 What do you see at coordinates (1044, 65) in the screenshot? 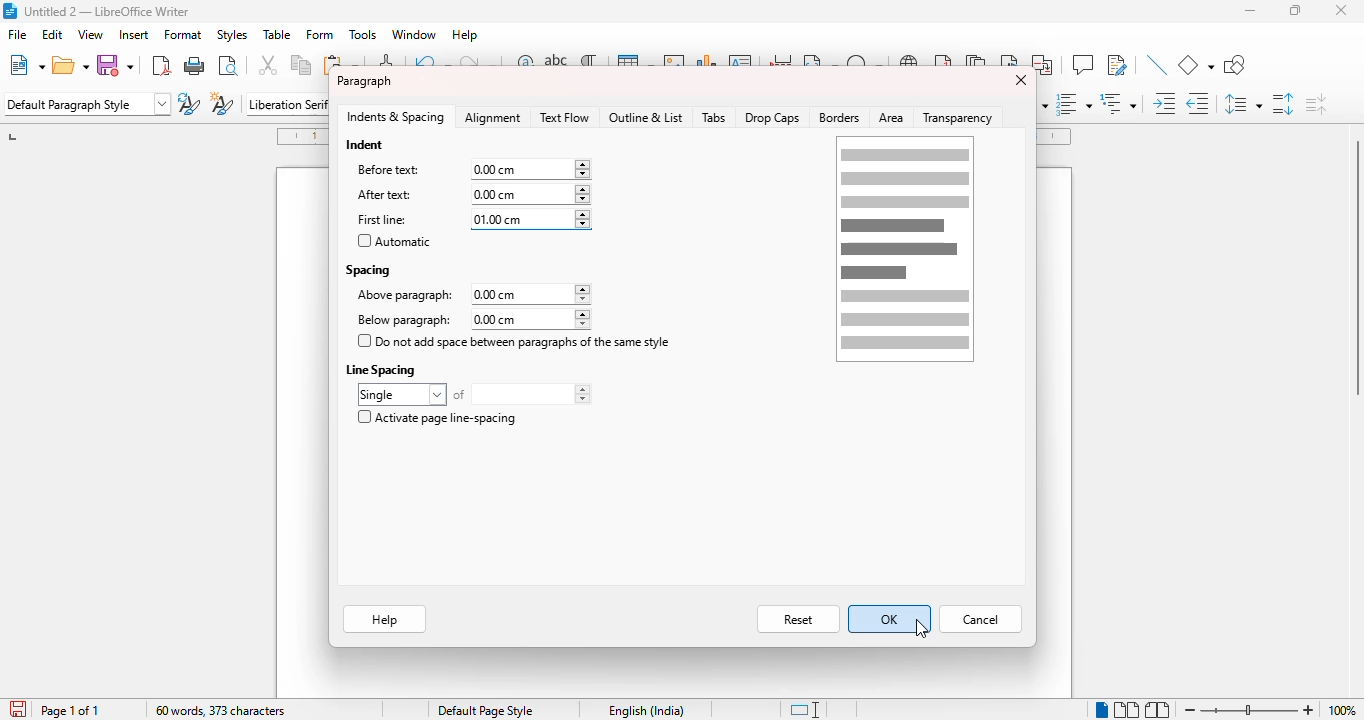
I see `insert cross-reference` at bounding box center [1044, 65].